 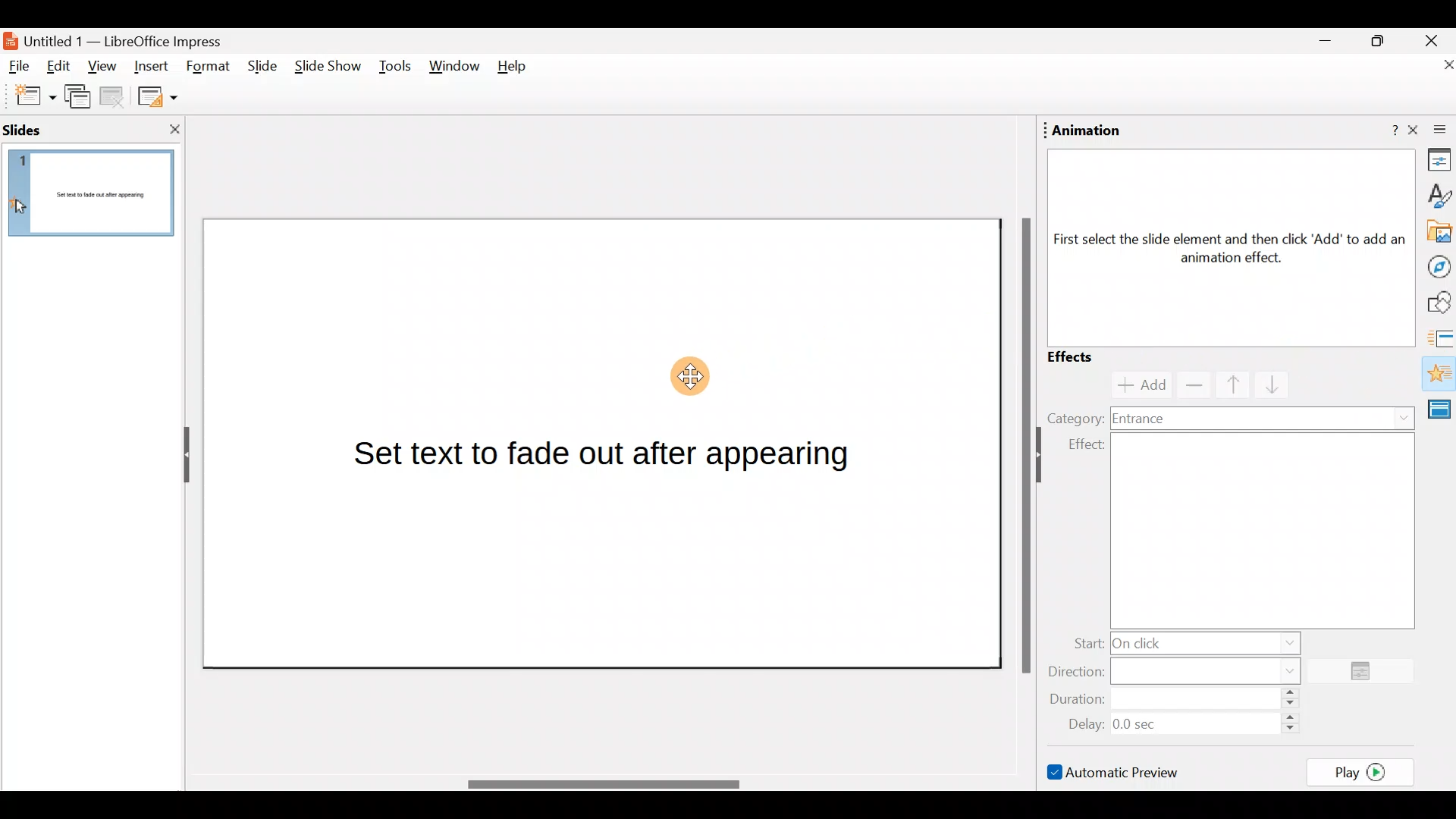 What do you see at coordinates (156, 96) in the screenshot?
I see `Slide layout` at bounding box center [156, 96].